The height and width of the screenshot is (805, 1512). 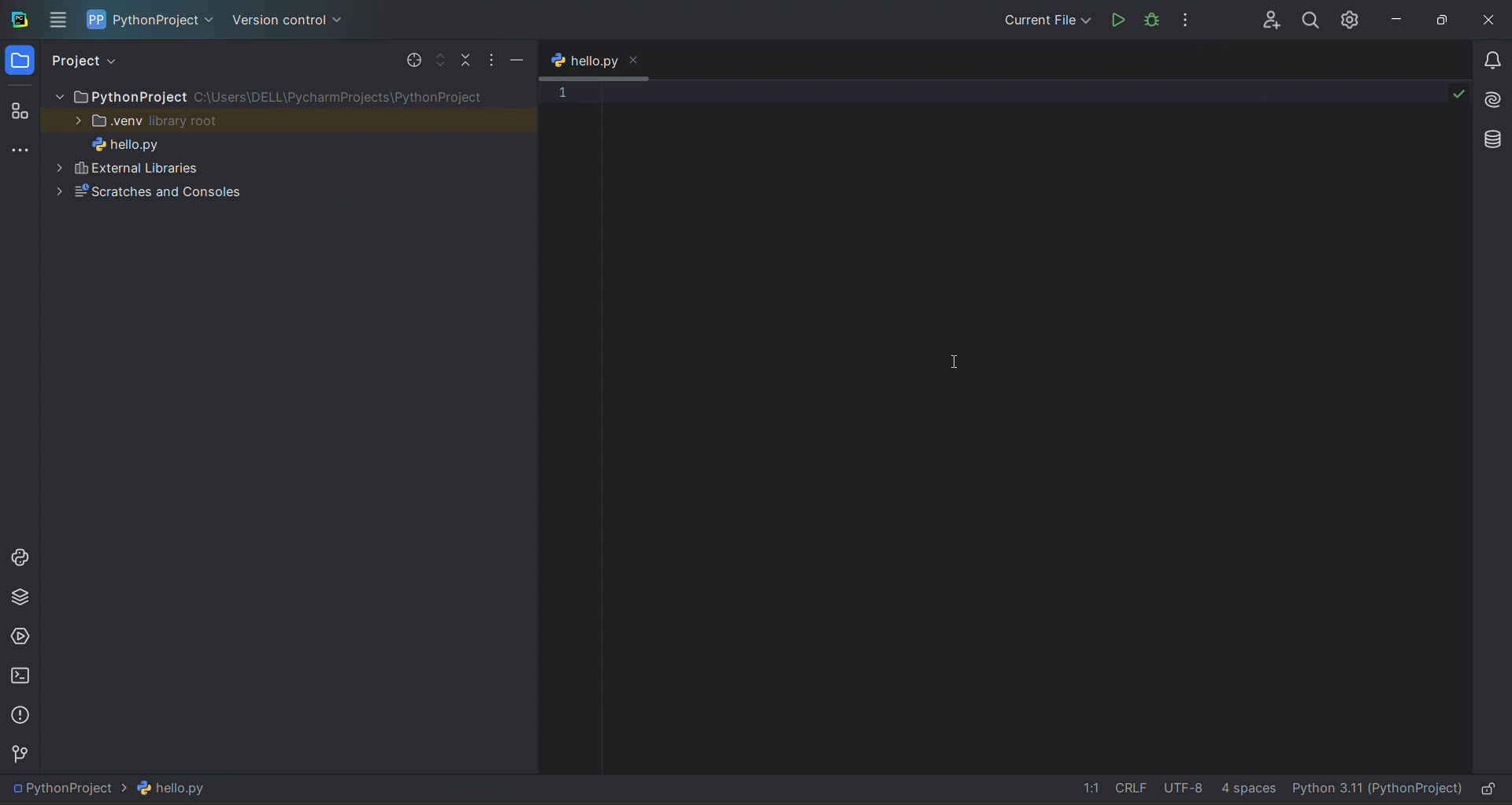 What do you see at coordinates (22, 636) in the screenshot?
I see `services` at bounding box center [22, 636].